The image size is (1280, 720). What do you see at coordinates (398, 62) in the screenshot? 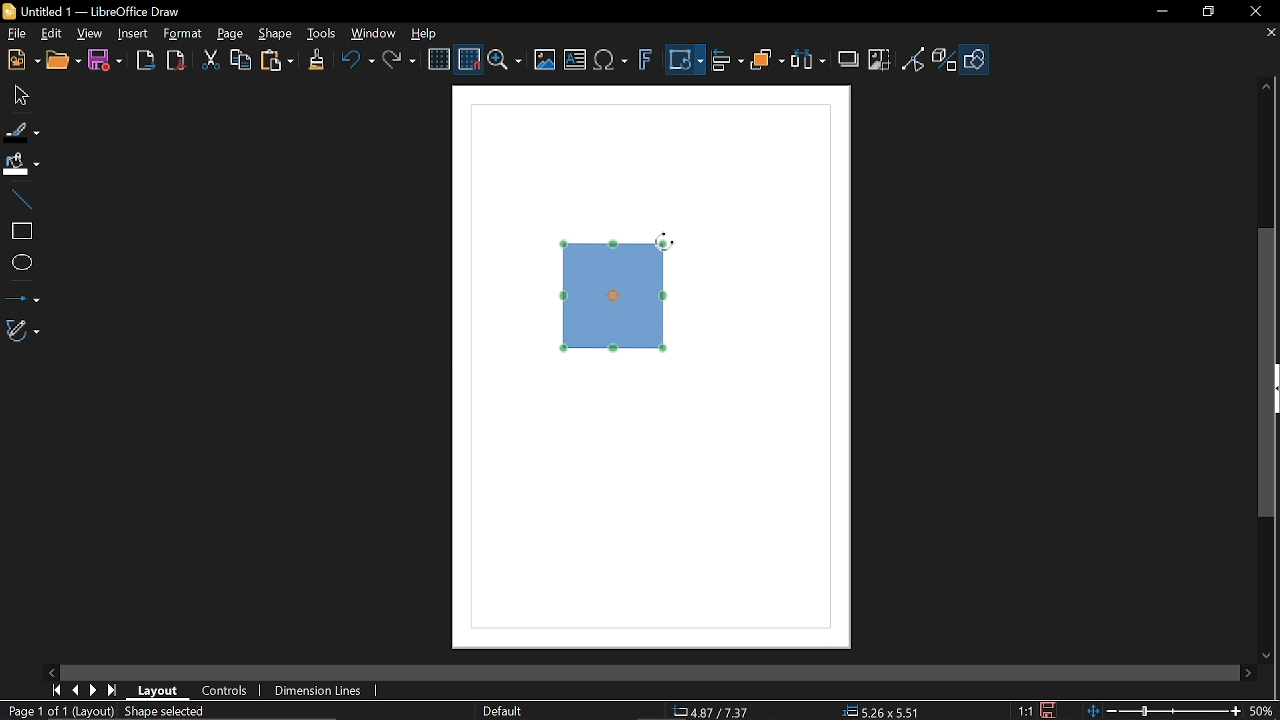
I see `Redo` at bounding box center [398, 62].